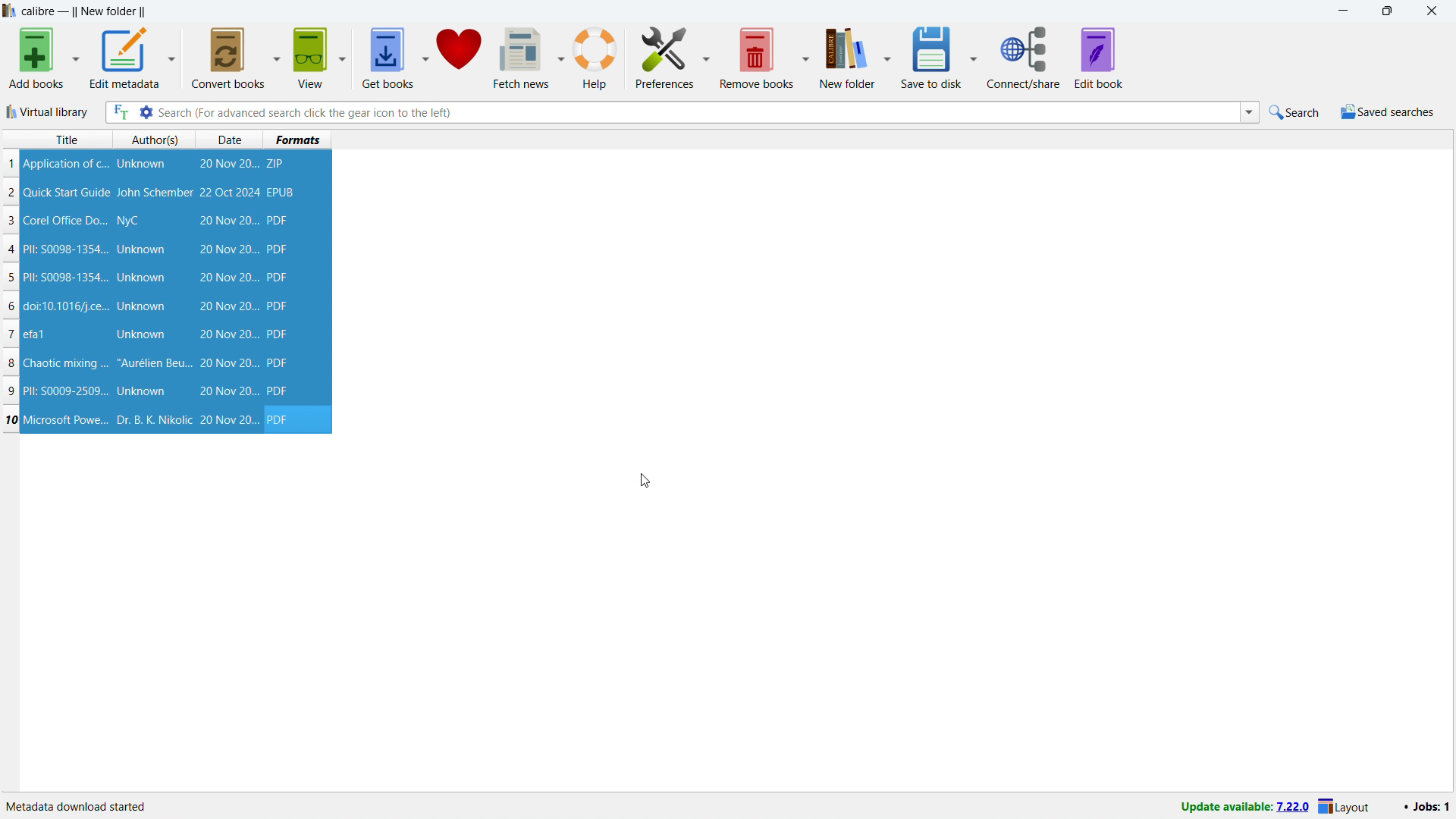 The height and width of the screenshot is (819, 1456). What do you see at coordinates (278, 164) in the screenshot?
I see `ZIP` at bounding box center [278, 164].